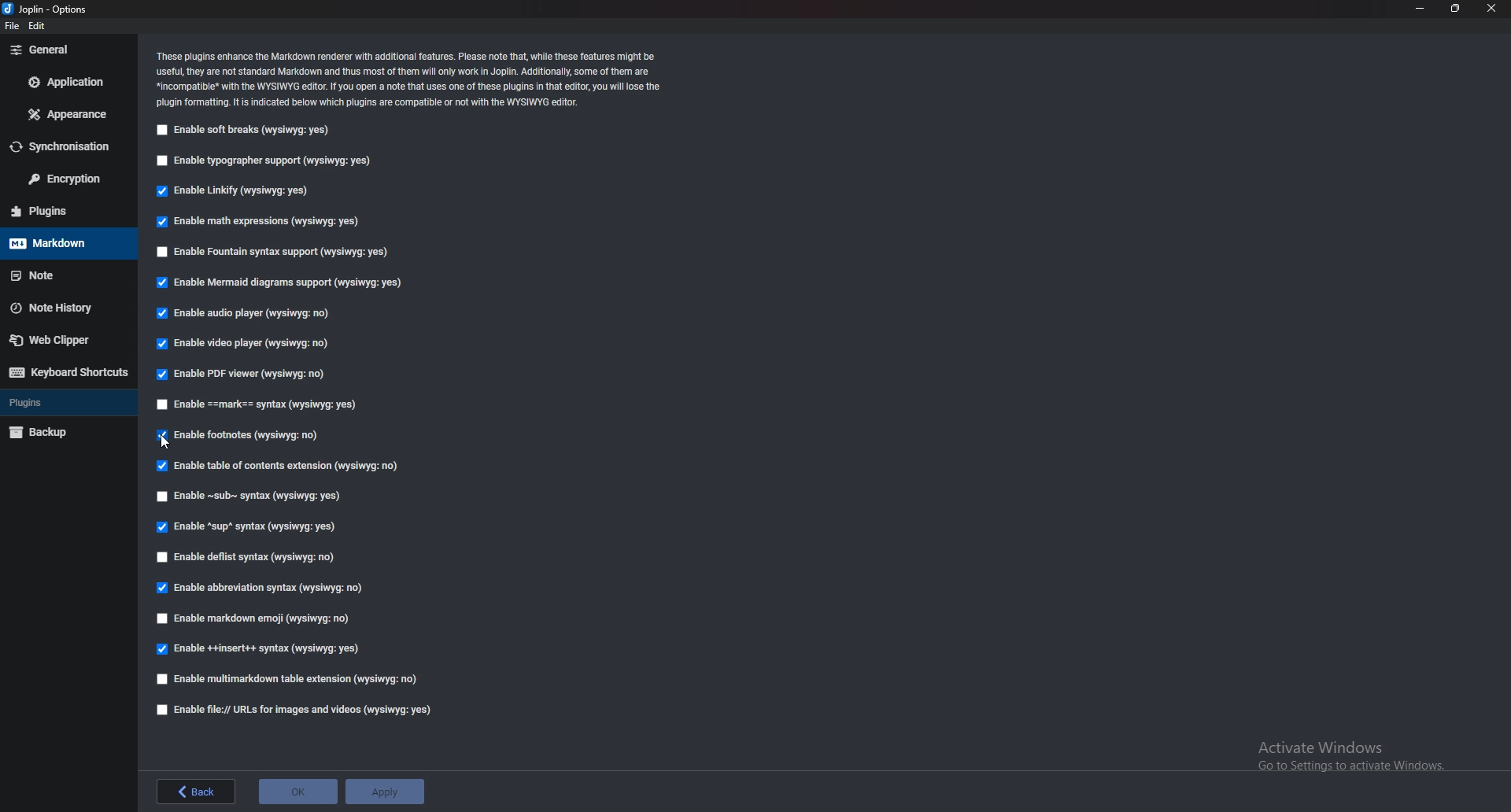  I want to click on Enable sup syntax, so click(251, 526).